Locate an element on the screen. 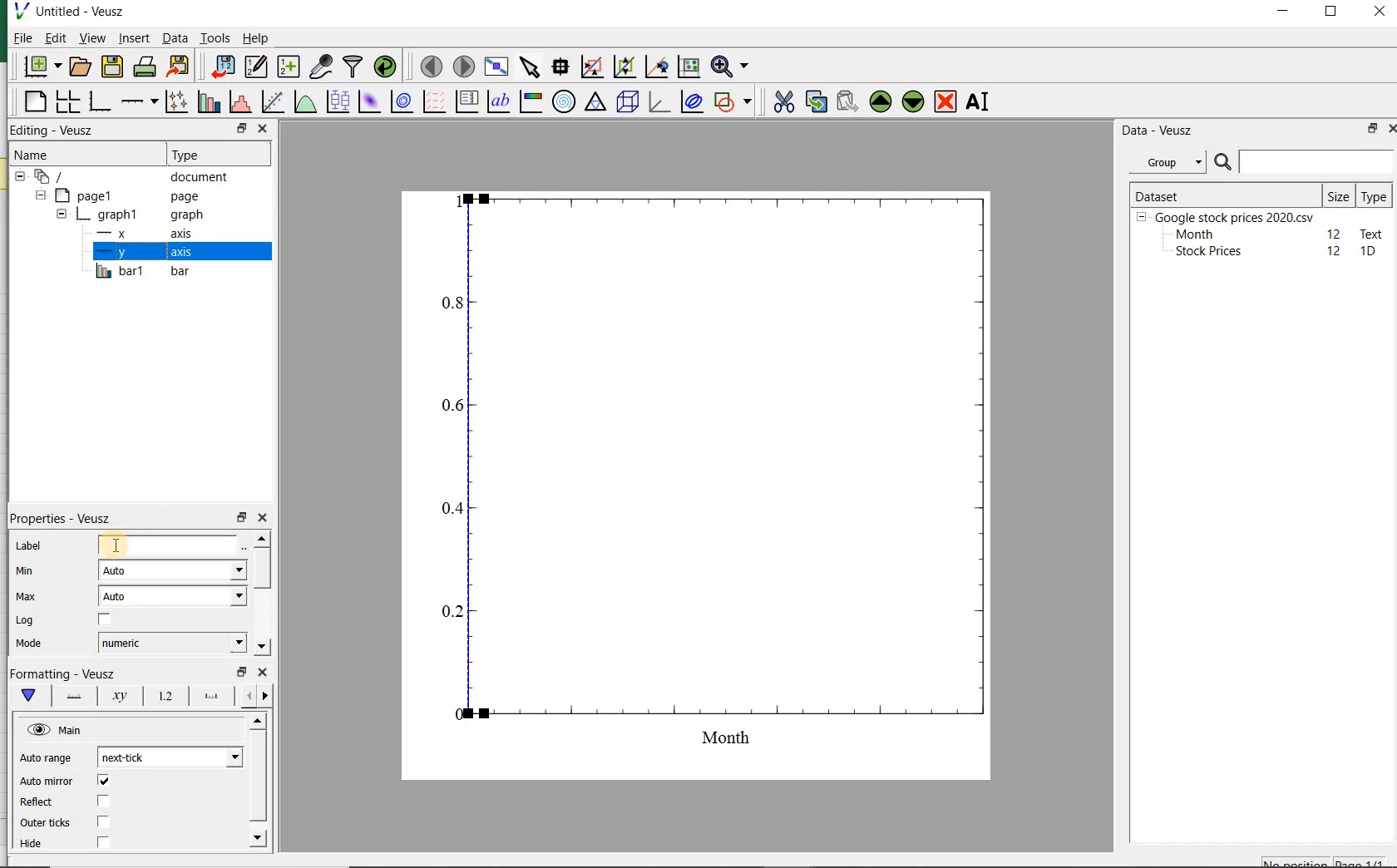 This screenshot has height=868, width=1397. read data points on the graph is located at coordinates (559, 67).